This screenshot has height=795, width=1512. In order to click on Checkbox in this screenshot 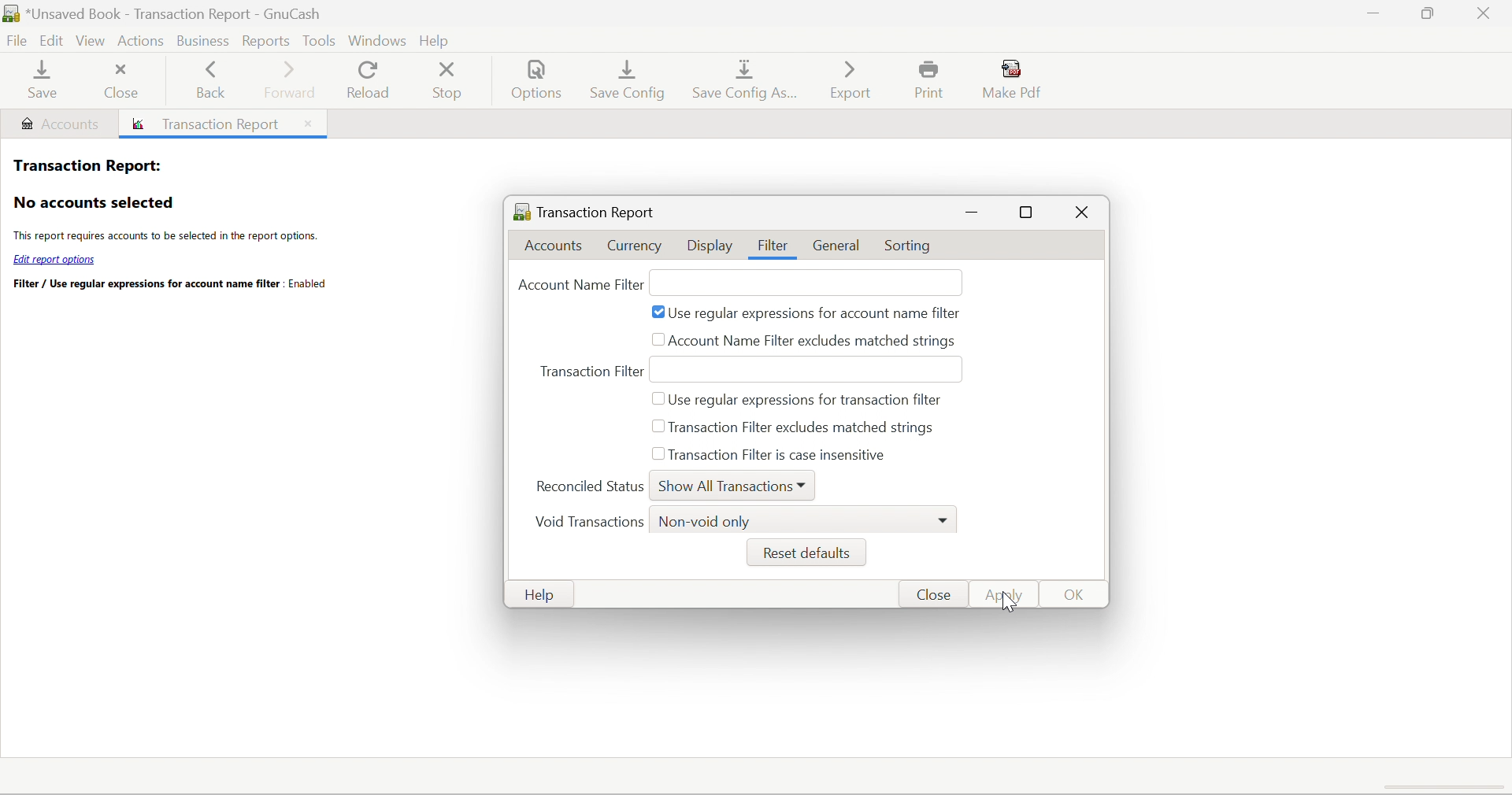, I will do `click(656, 456)`.